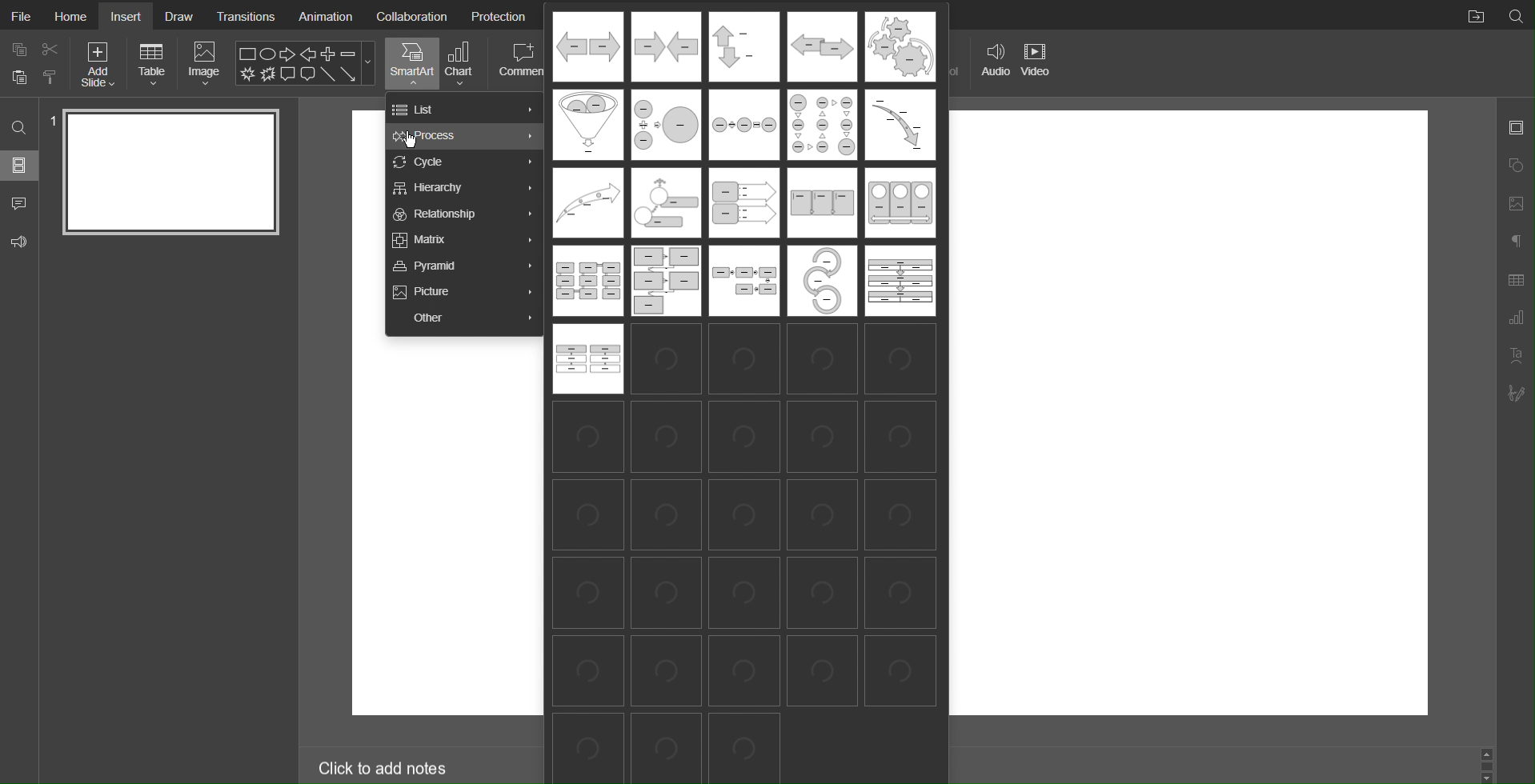 The height and width of the screenshot is (784, 1535). Describe the element at coordinates (52, 119) in the screenshot. I see `slide number` at that location.